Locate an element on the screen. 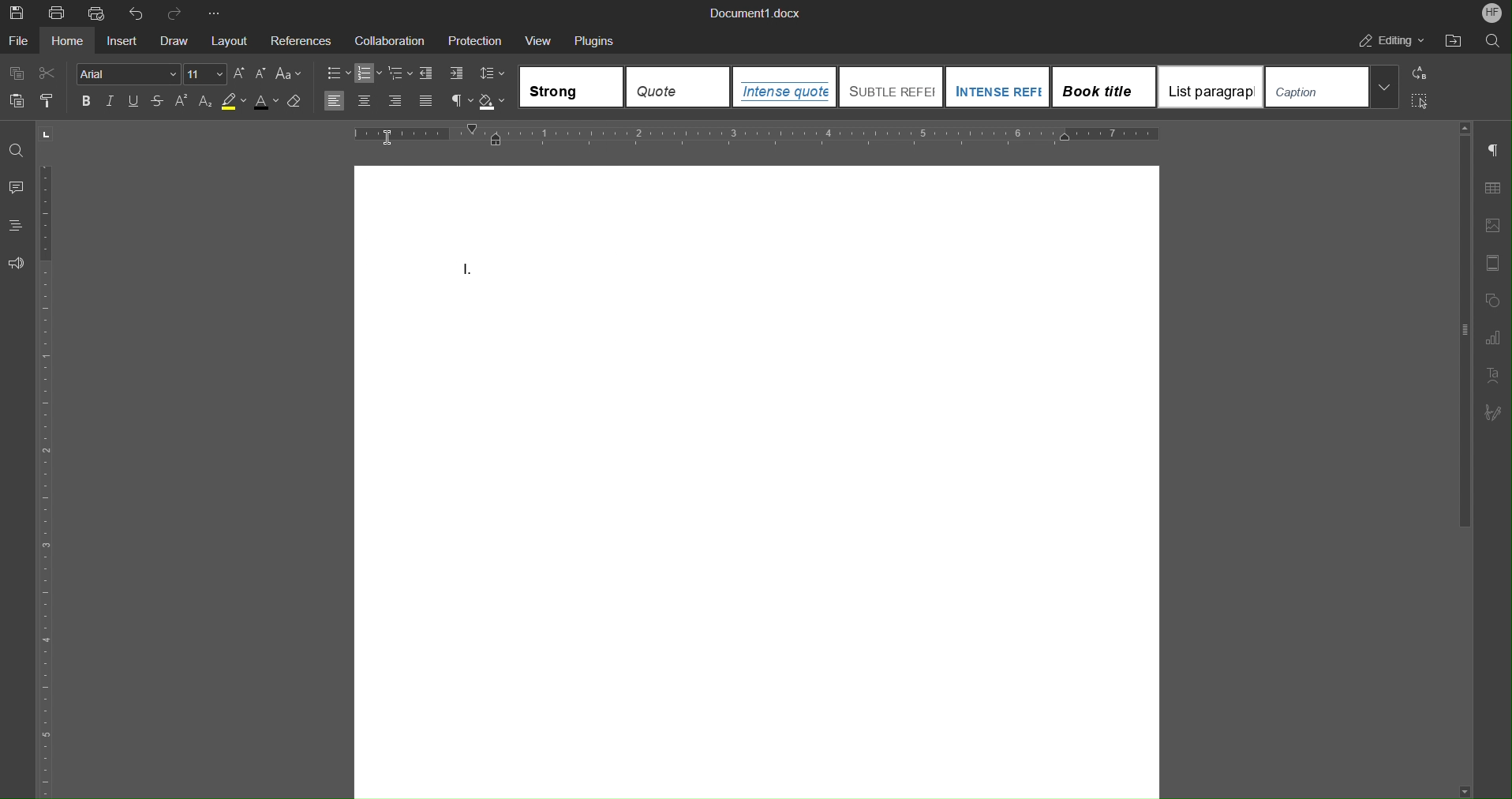 This screenshot has height=799, width=1512. Bullet List is located at coordinates (337, 73).